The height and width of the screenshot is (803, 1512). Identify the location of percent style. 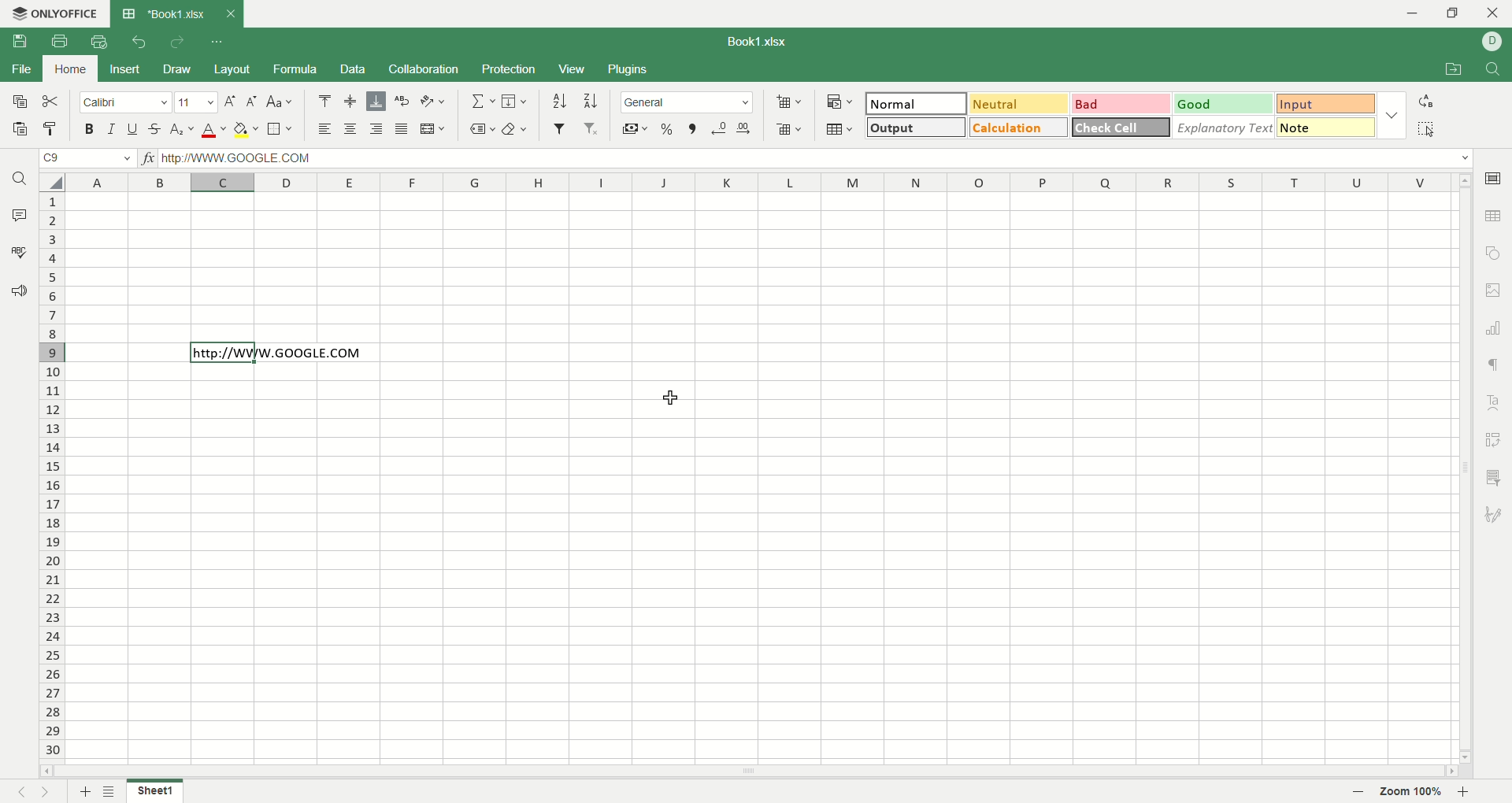
(666, 129).